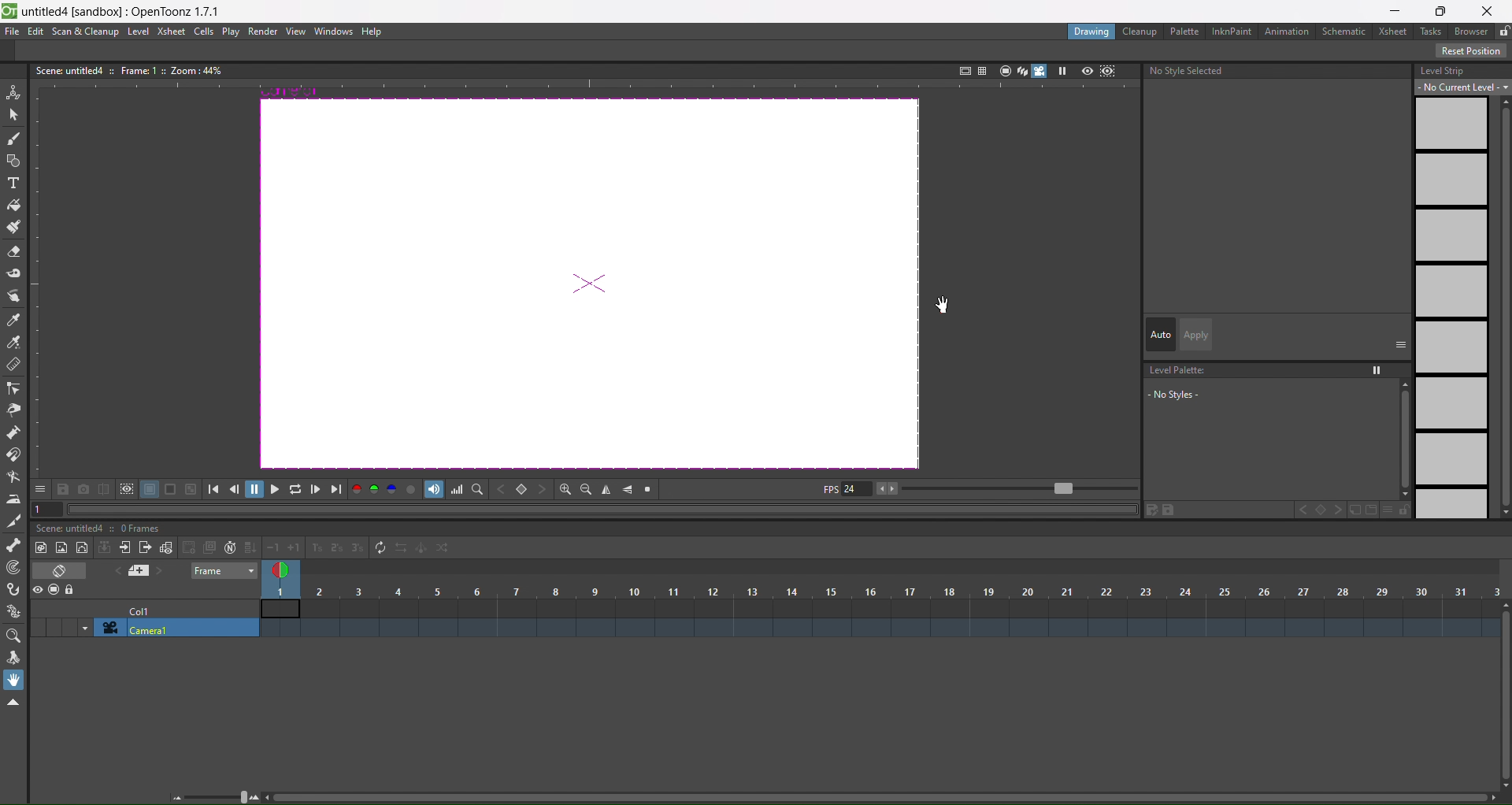 The width and height of the screenshot is (1512, 805). I want to click on locator, so click(522, 491).